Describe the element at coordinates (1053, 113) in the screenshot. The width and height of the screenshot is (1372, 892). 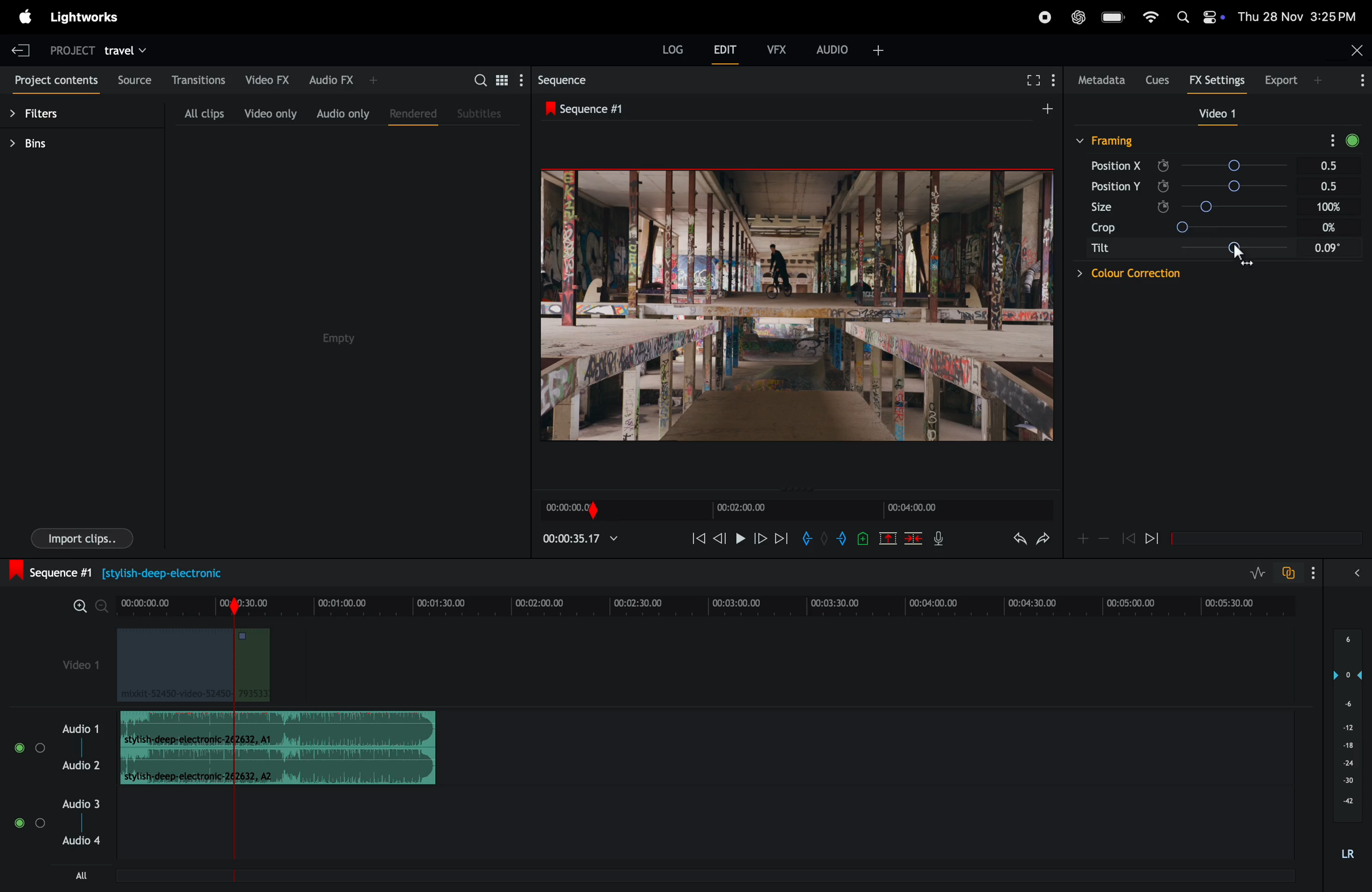
I see `add` at that location.